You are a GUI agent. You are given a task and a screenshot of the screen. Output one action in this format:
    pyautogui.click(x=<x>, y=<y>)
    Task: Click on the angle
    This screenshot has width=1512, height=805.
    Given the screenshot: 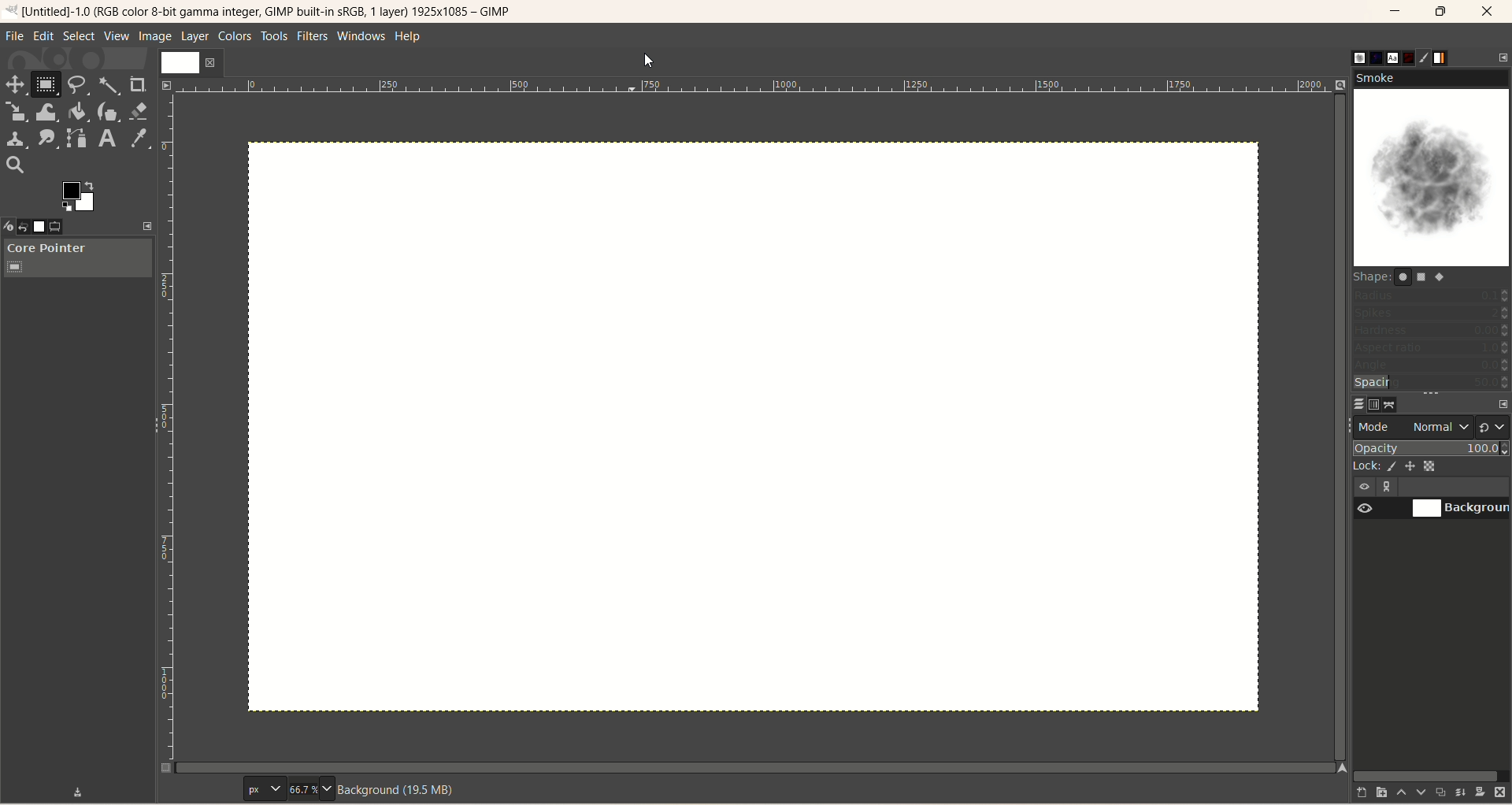 What is the action you would take?
    pyautogui.click(x=1430, y=366)
    